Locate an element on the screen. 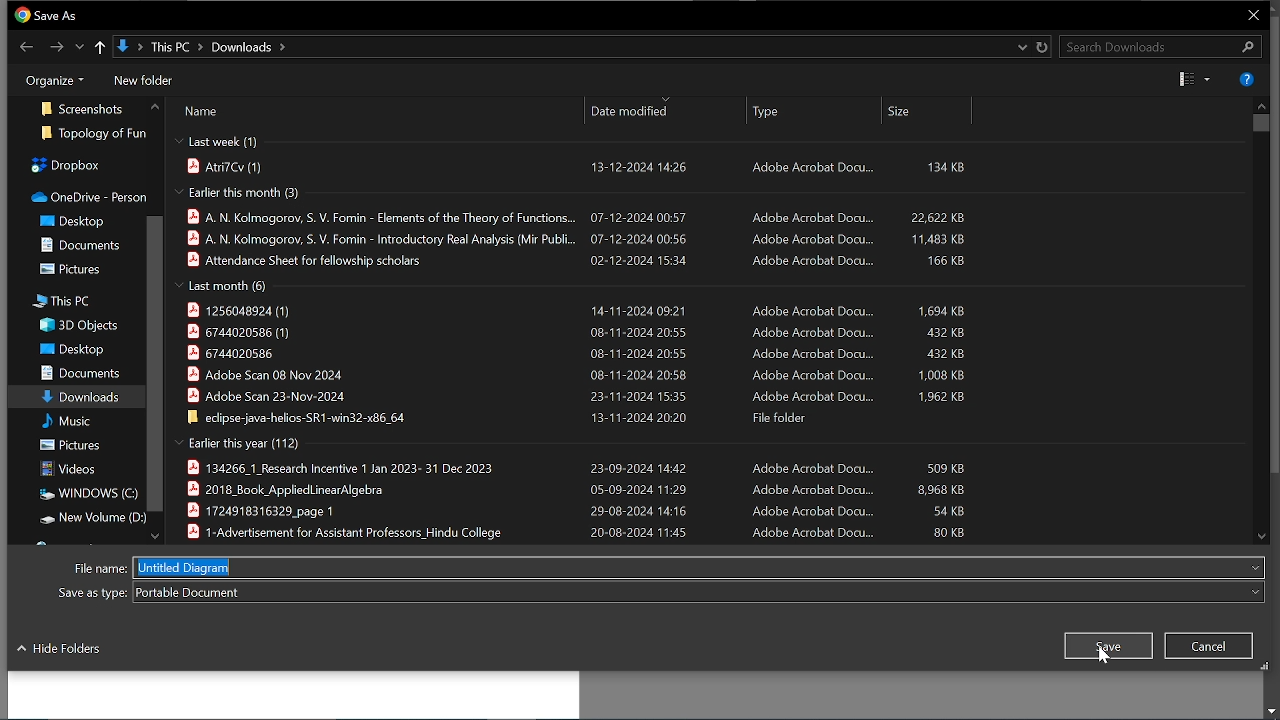 This screenshot has width=1280, height=720. 02-12-2024 15:34 is located at coordinates (634, 261).